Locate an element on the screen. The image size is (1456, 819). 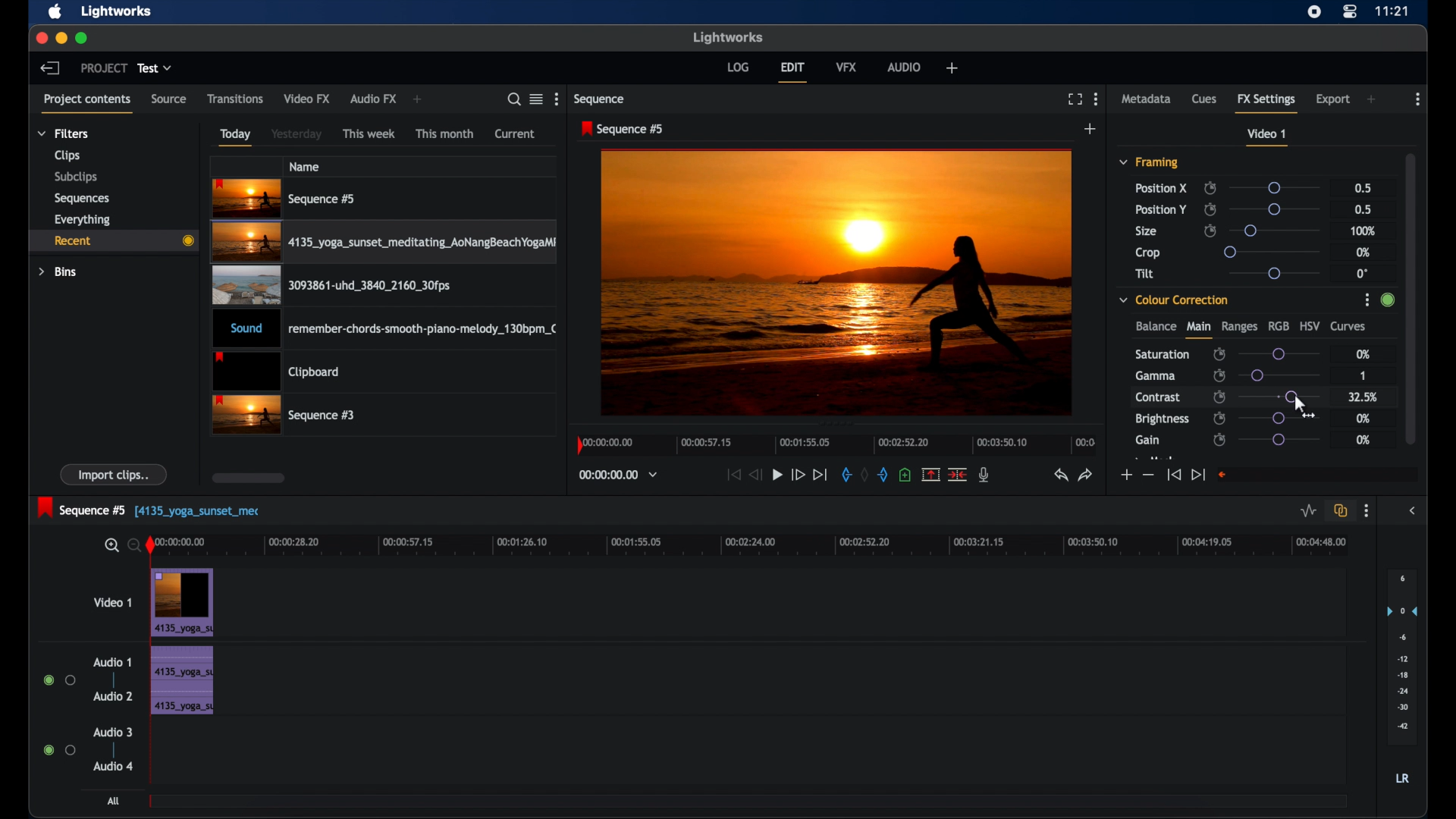
0% is located at coordinates (1362, 353).